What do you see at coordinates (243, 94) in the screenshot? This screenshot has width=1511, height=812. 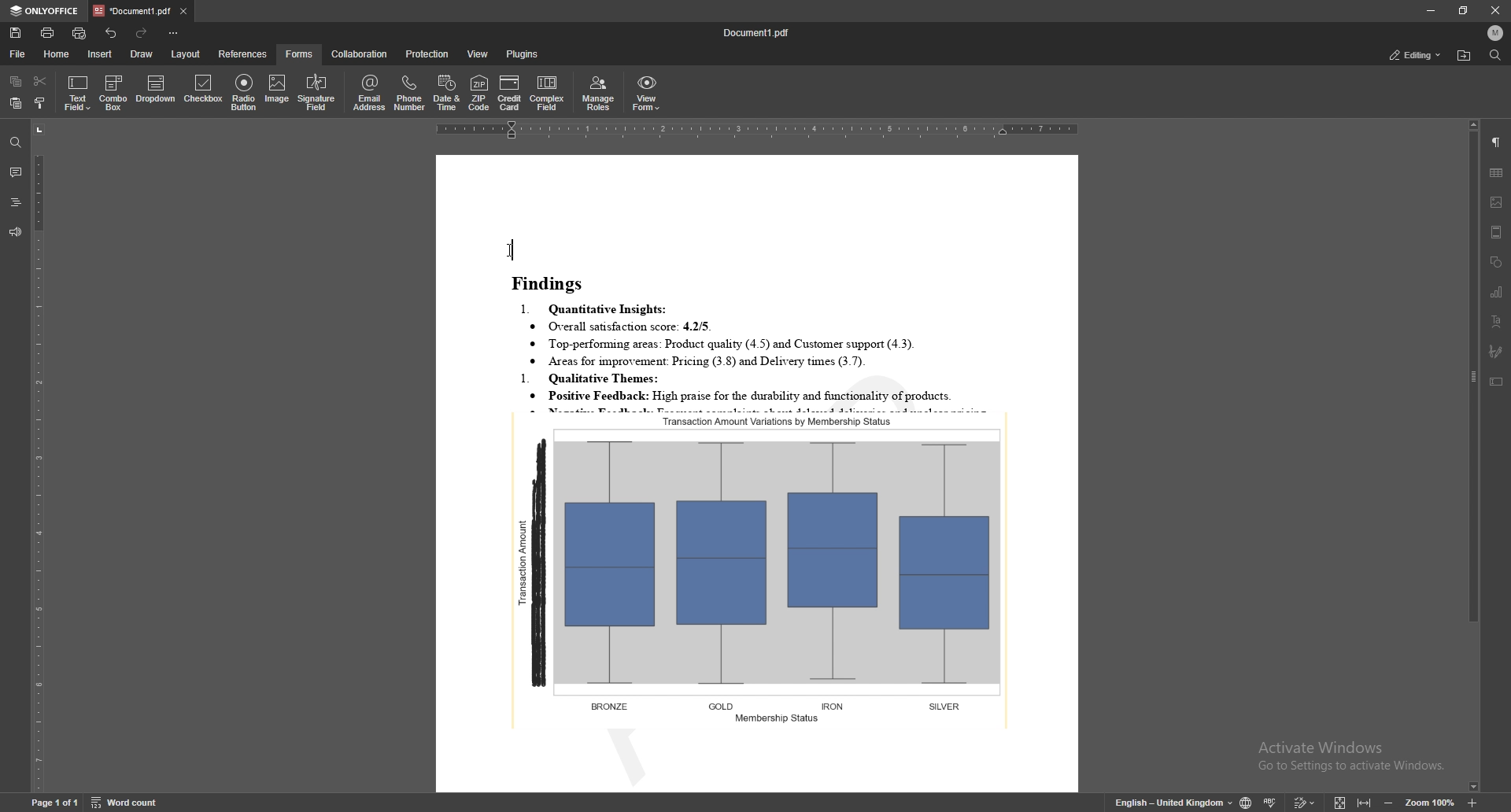 I see `radio button` at bounding box center [243, 94].